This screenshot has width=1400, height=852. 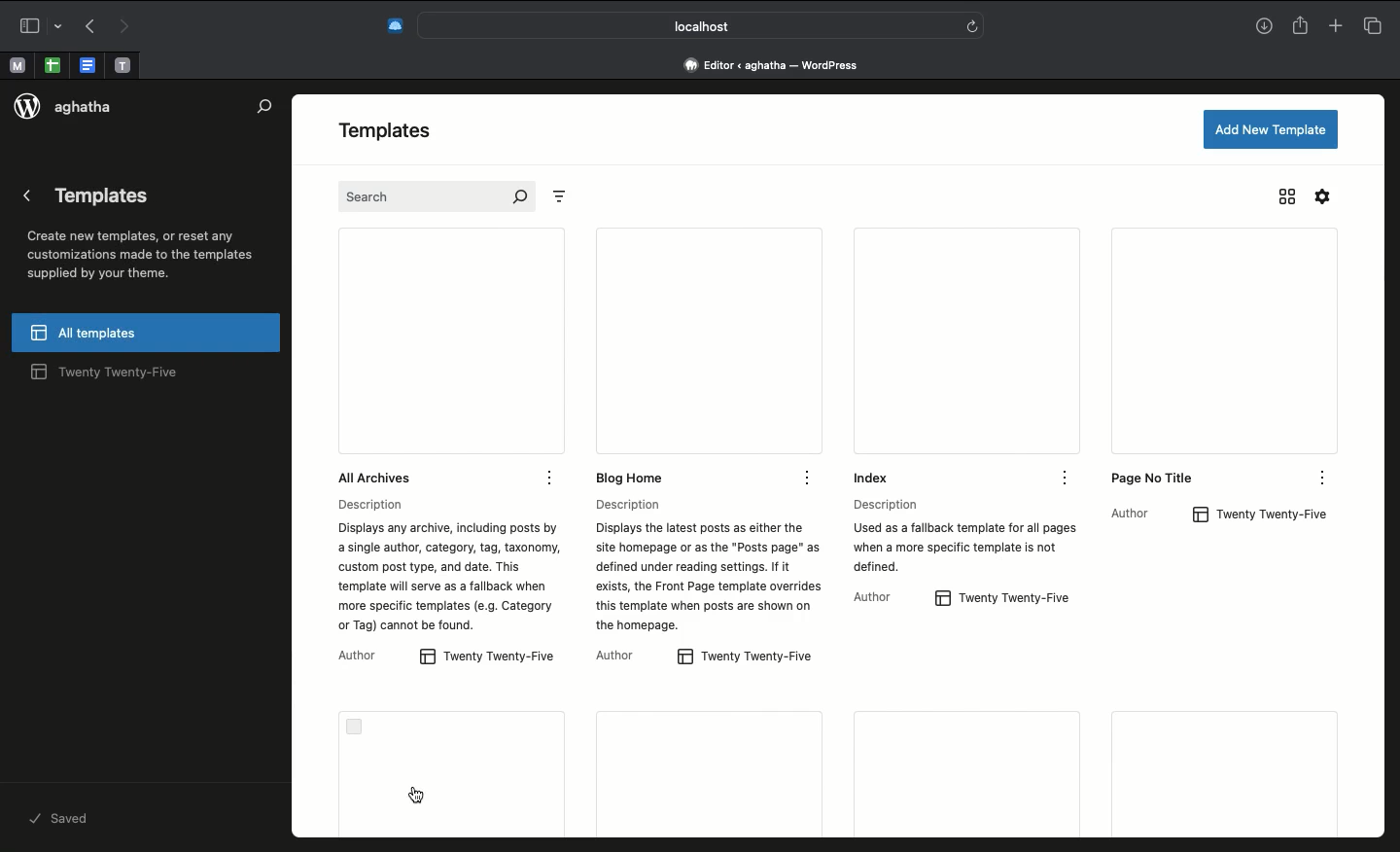 What do you see at coordinates (361, 658) in the screenshot?
I see `Author` at bounding box center [361, 658].